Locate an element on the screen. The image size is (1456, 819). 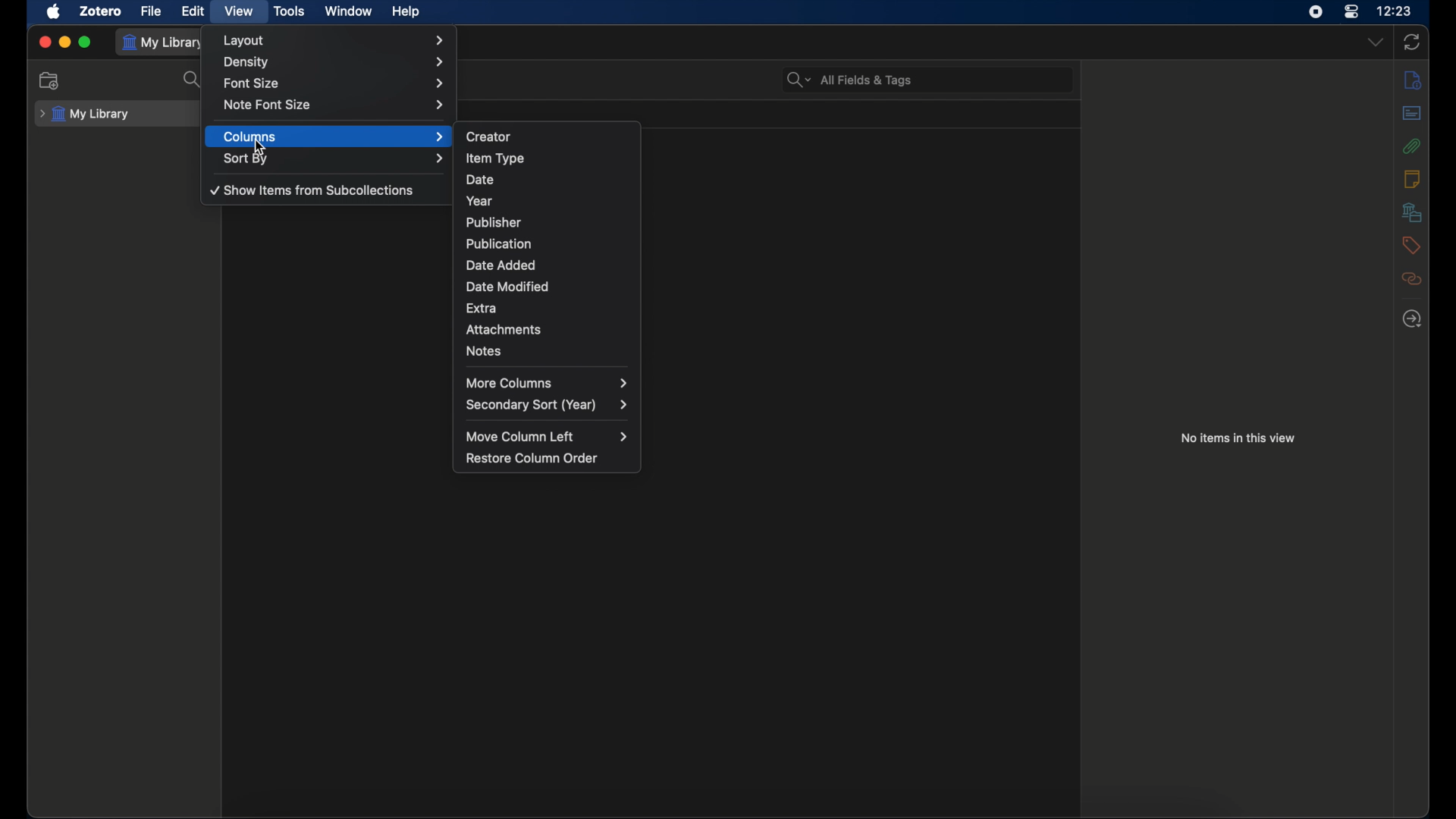
notes is located at coordinates (484, 351).